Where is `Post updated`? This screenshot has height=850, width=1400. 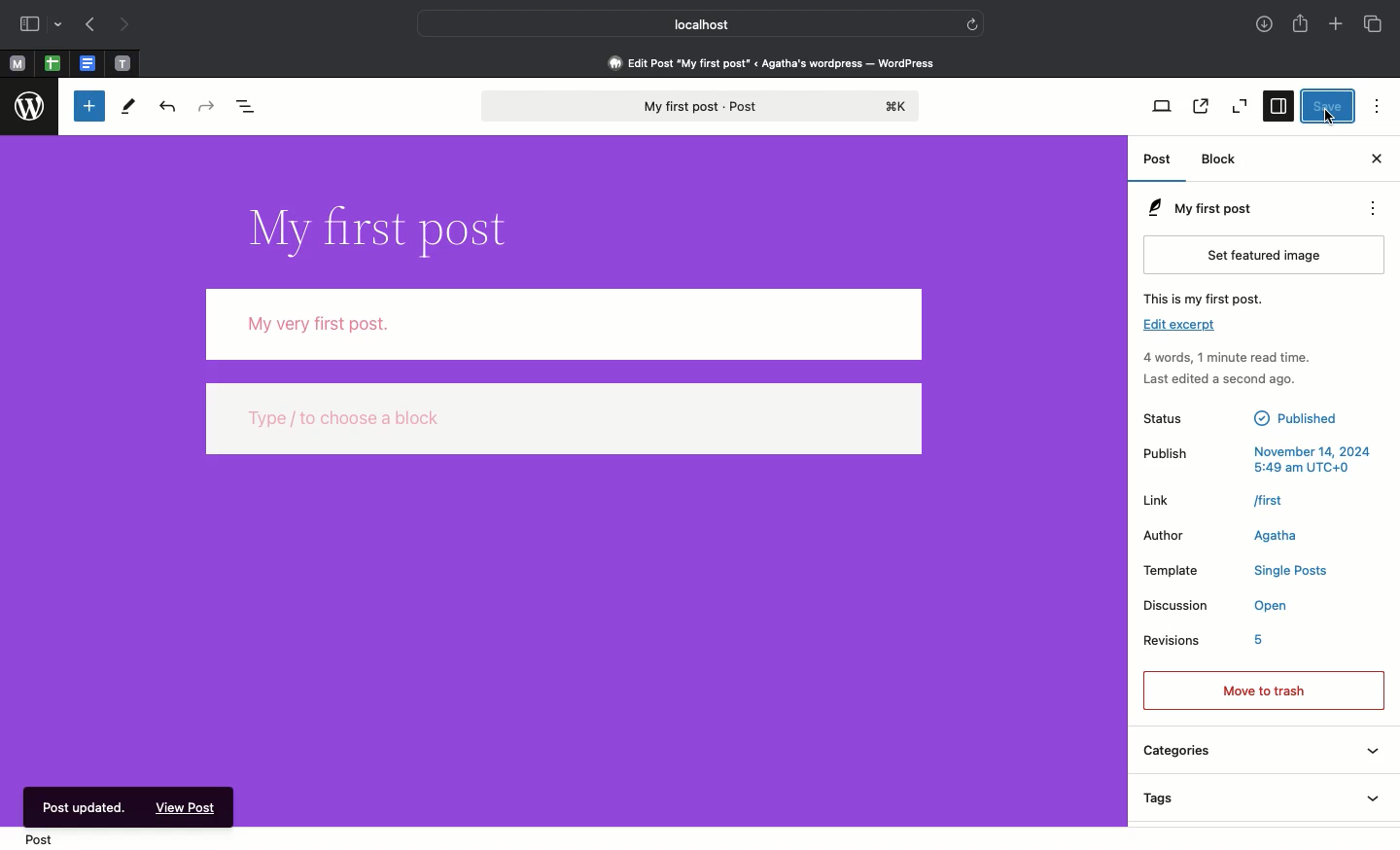 Post updated is located at coordinates (126, 806).